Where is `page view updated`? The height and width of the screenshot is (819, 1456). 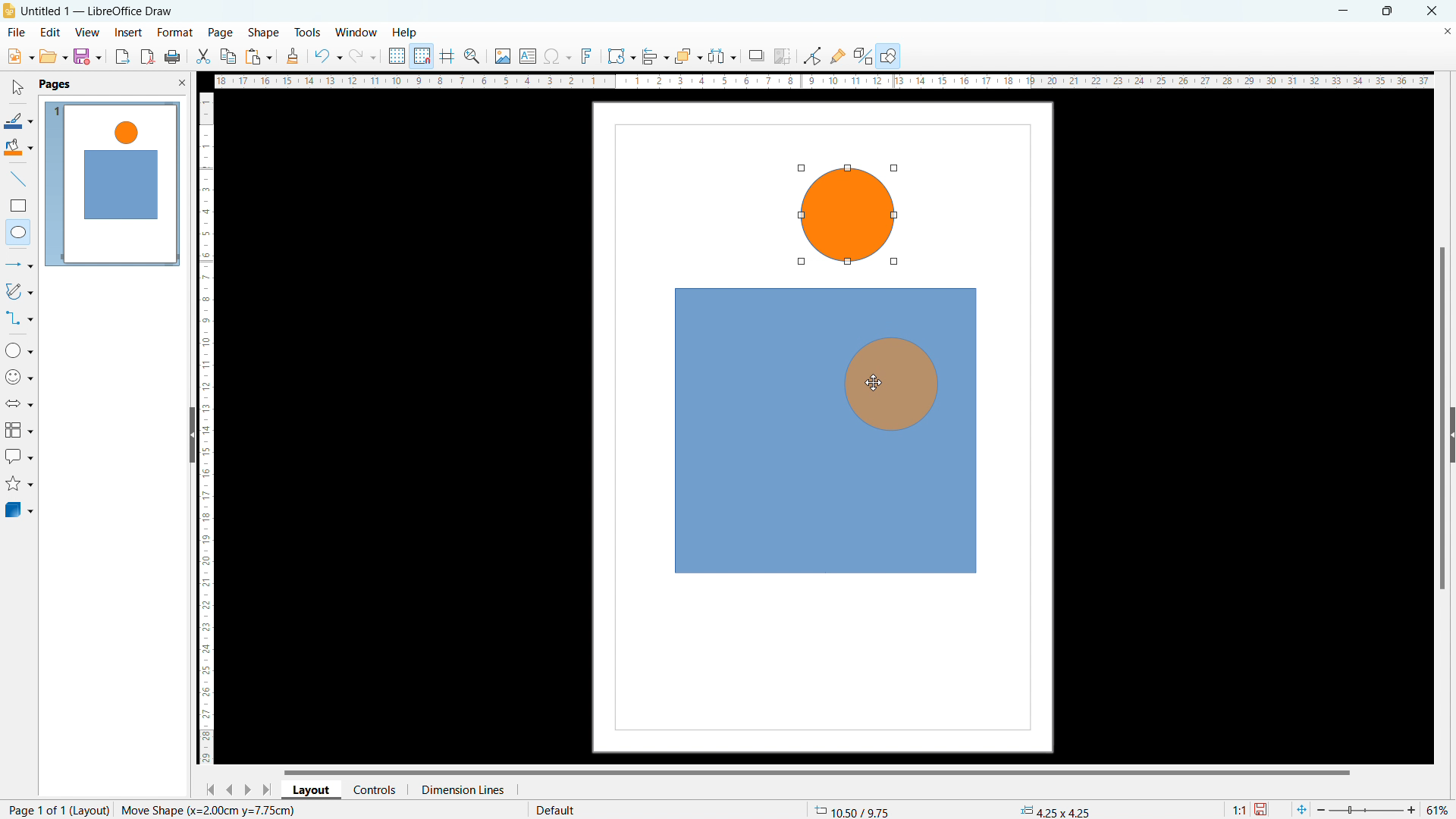
page view updated is located at coordinates (111, 184).